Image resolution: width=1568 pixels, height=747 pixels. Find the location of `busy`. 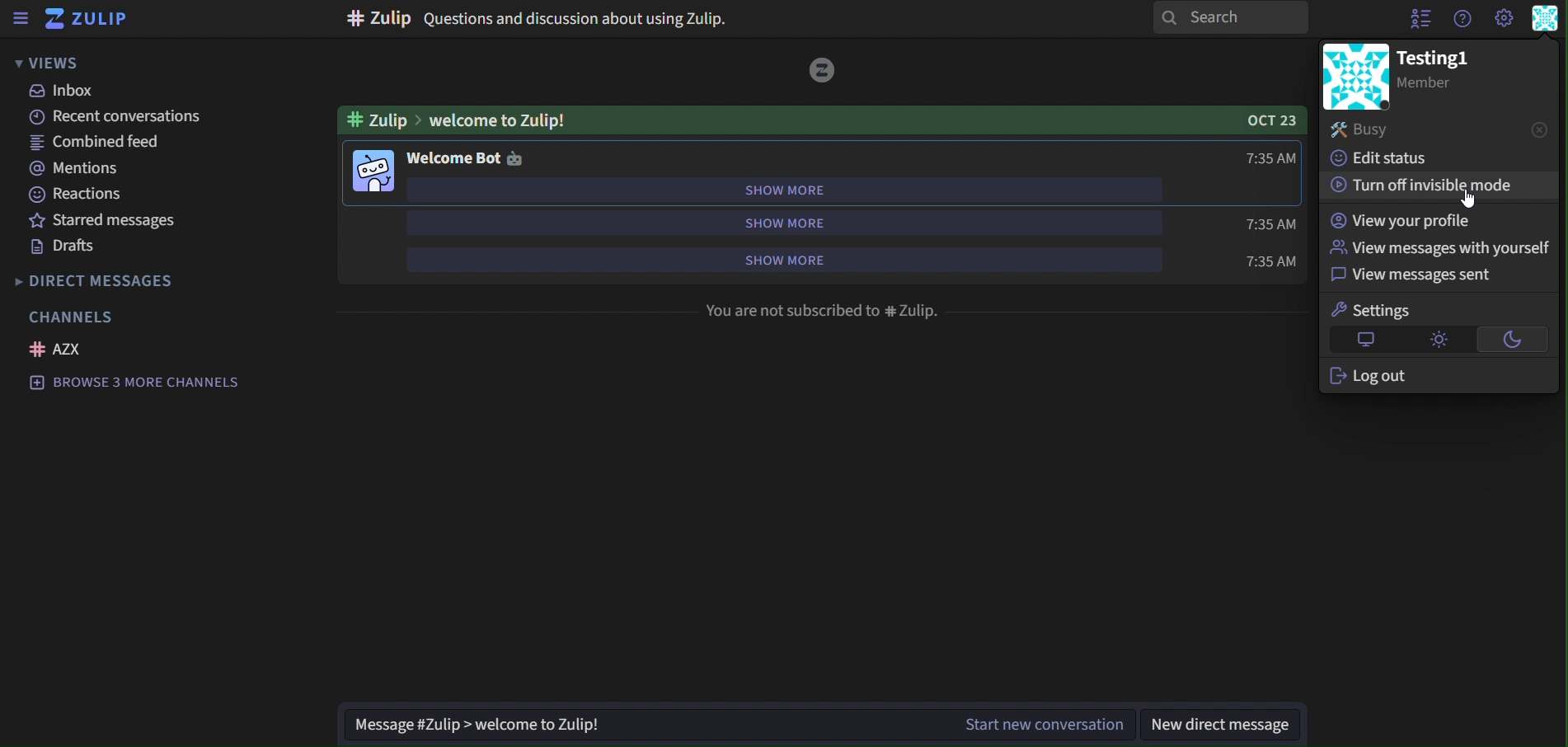

busy is located at coordinates (1435, 129).